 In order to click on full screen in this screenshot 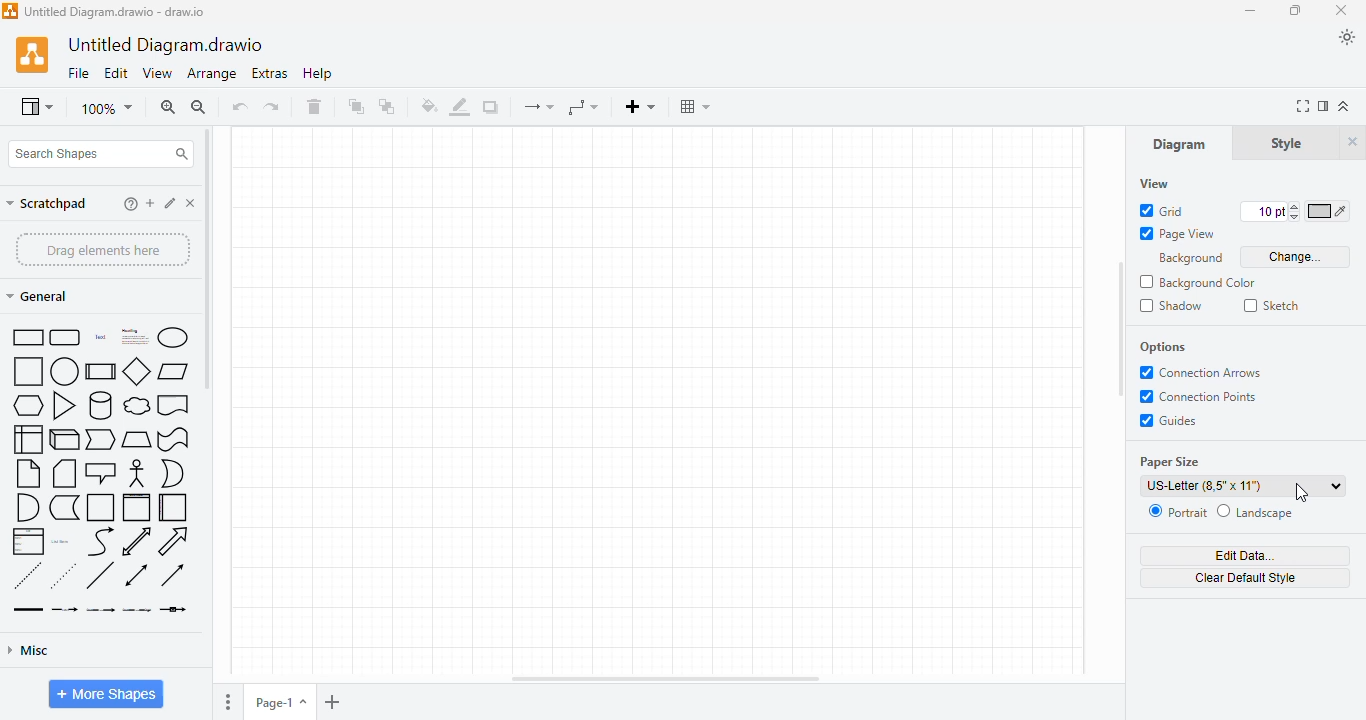, I will do `click(1303, 106)`.